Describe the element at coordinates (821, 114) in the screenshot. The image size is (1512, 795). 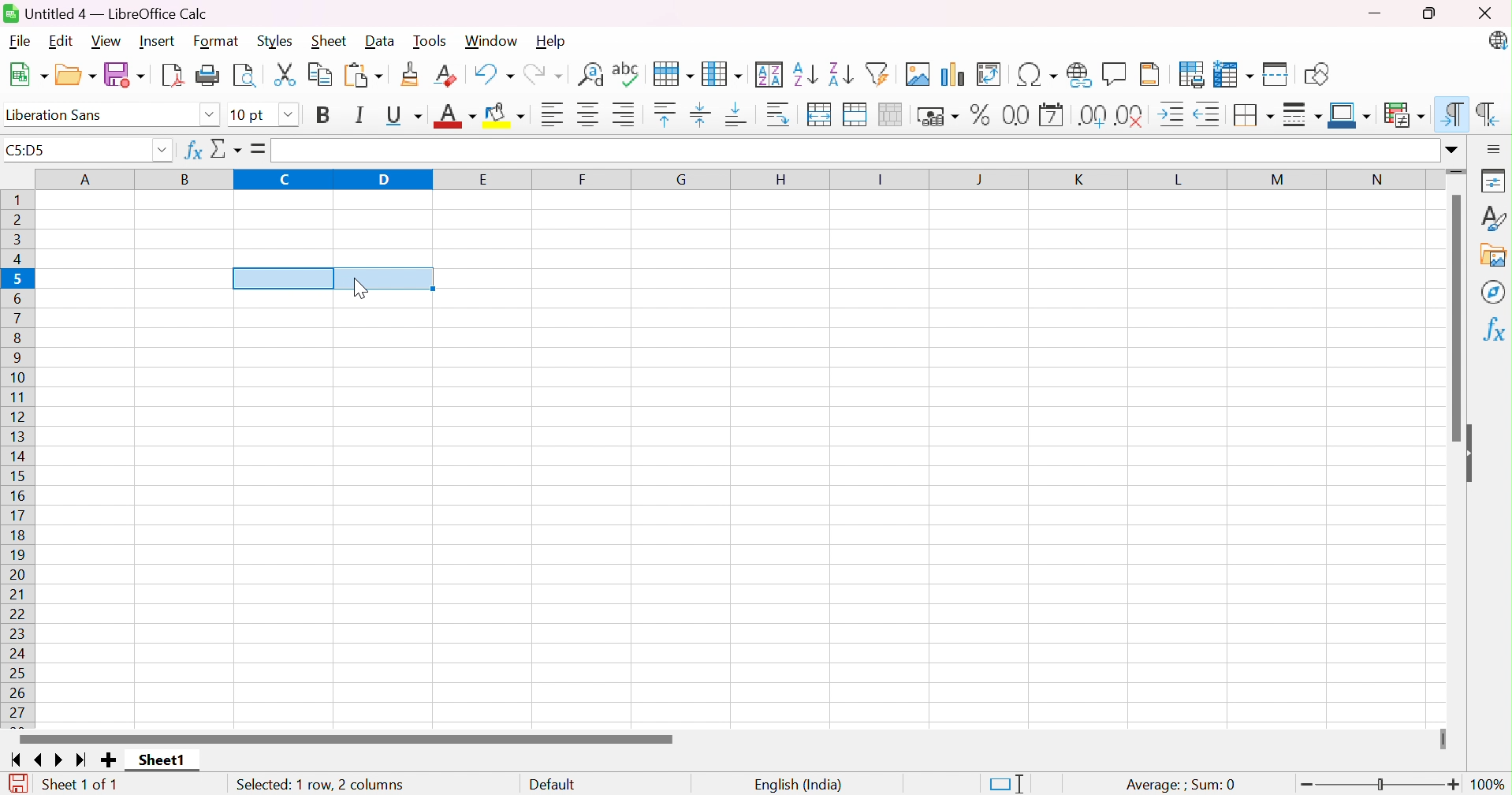
I see `Merge and center or unmerge cells depending on the current toggle status.` at that location.